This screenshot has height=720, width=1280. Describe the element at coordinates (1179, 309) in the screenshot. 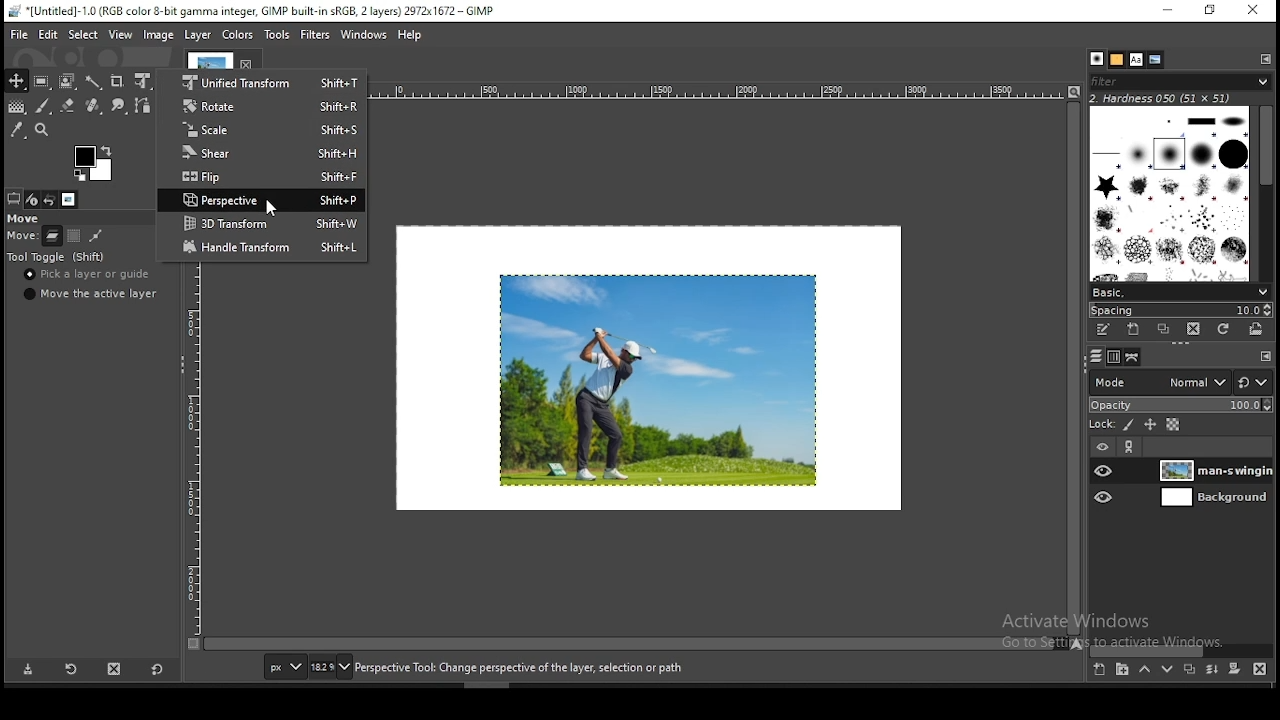

I see `spacing` at that location.